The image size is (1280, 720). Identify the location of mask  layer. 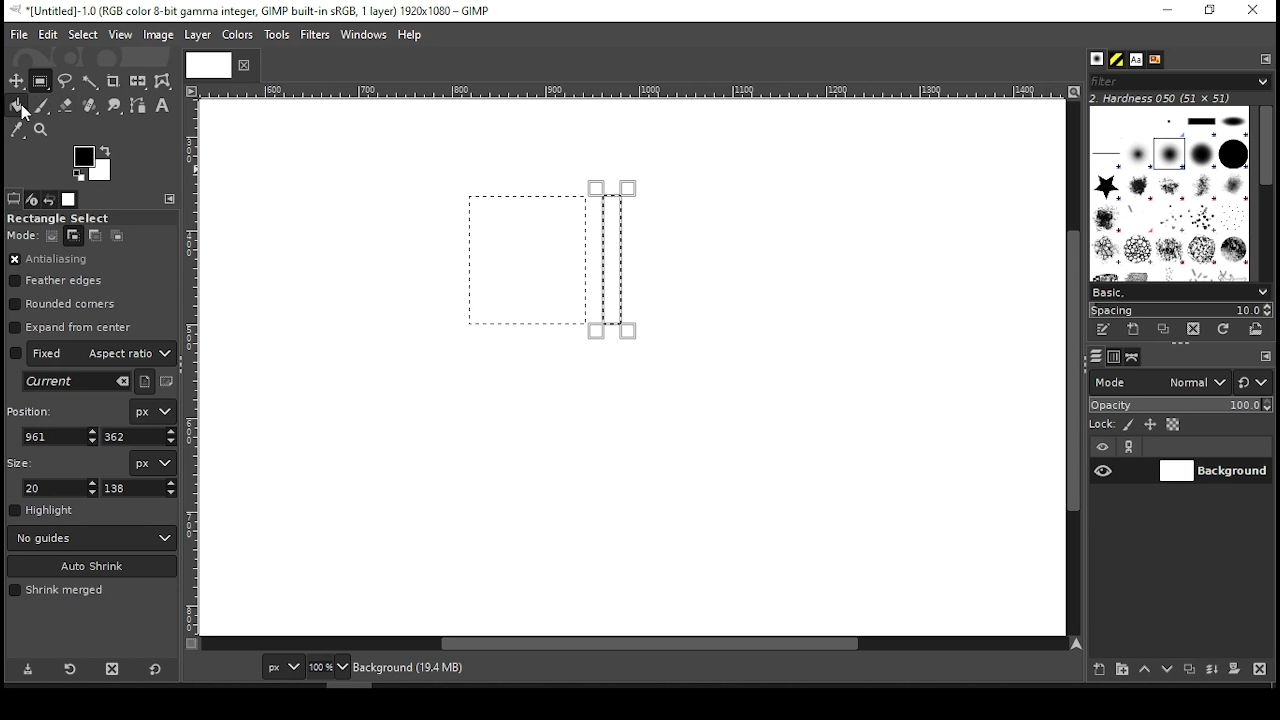
(1234, 670).